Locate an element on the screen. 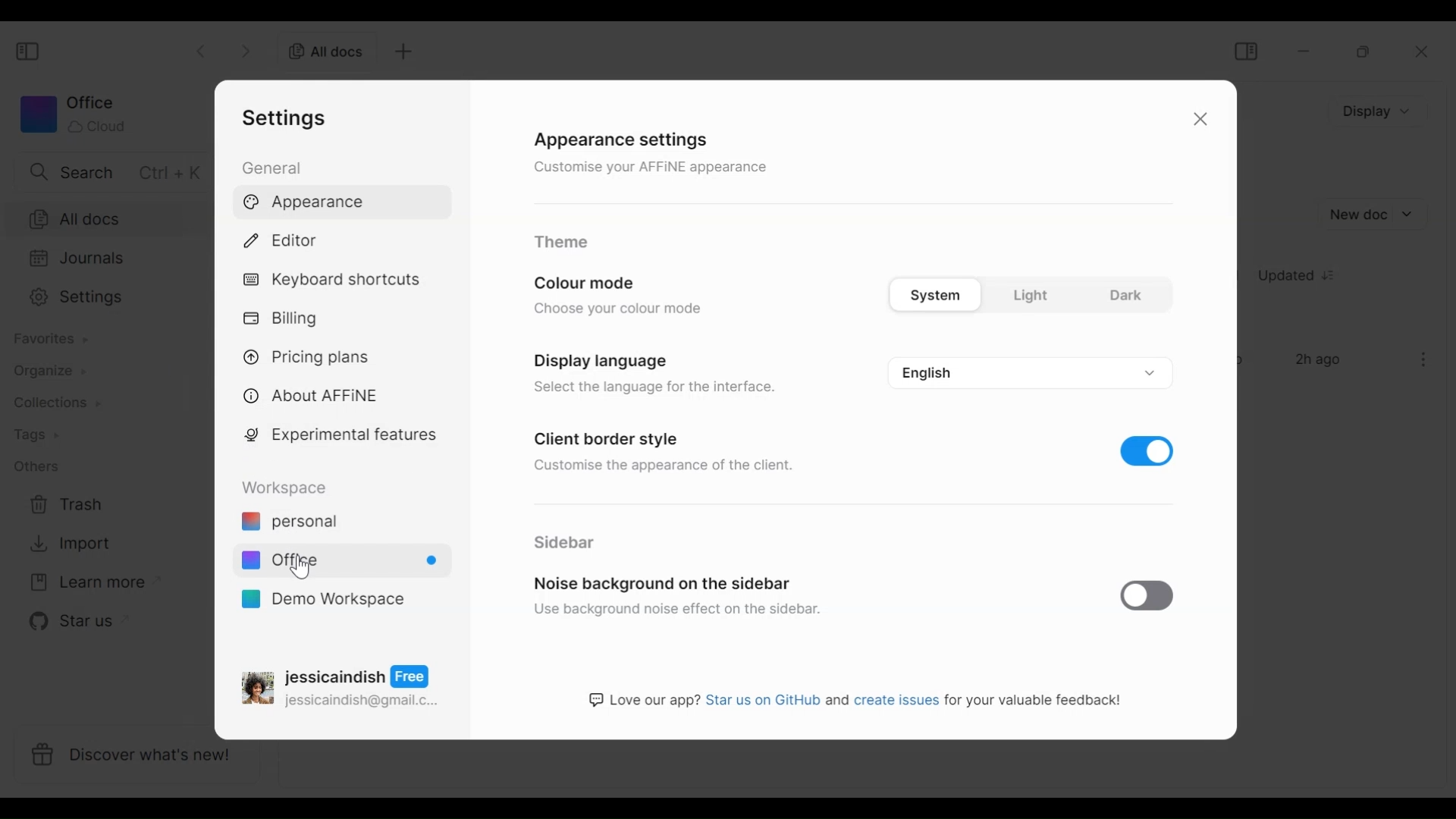 The height and width of the screenshot is (819, 1456). Import is located at coordinates (67, 544).